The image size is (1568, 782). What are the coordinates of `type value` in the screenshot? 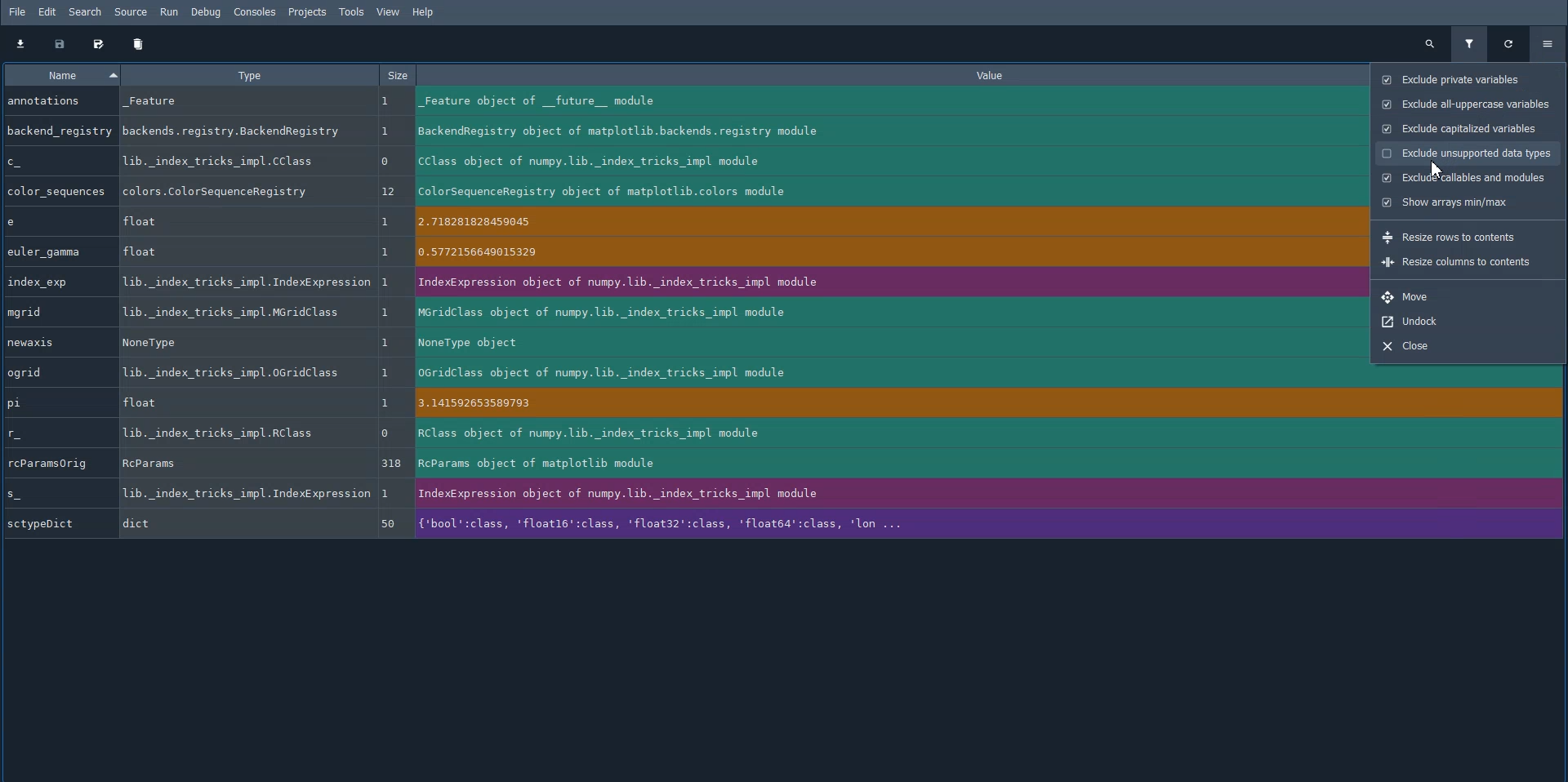 It's located at (243, 464).